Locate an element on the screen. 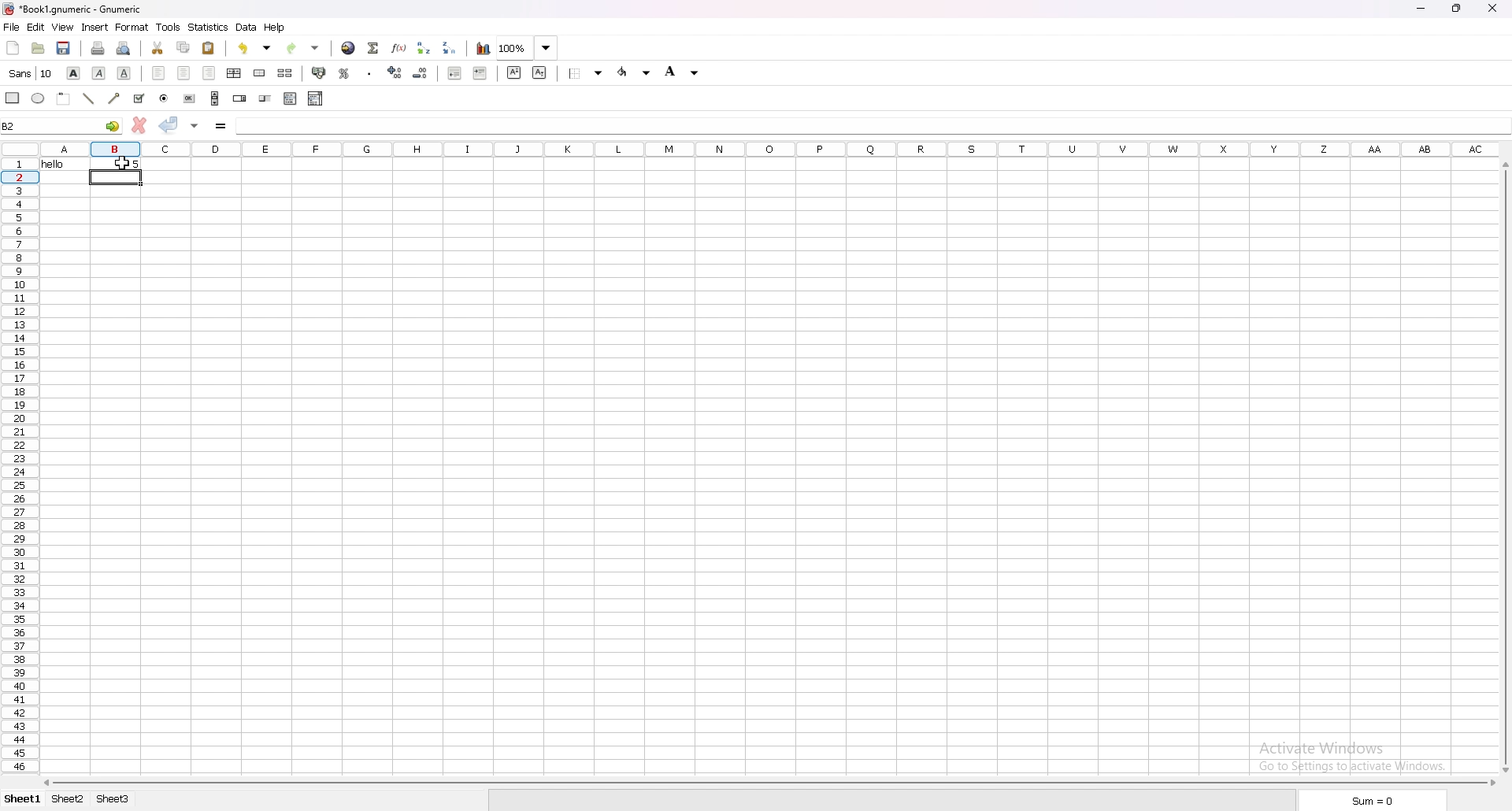 The width and height of the screenshot is (1512, 811). hyperlink is located at coordinates (349, 47).